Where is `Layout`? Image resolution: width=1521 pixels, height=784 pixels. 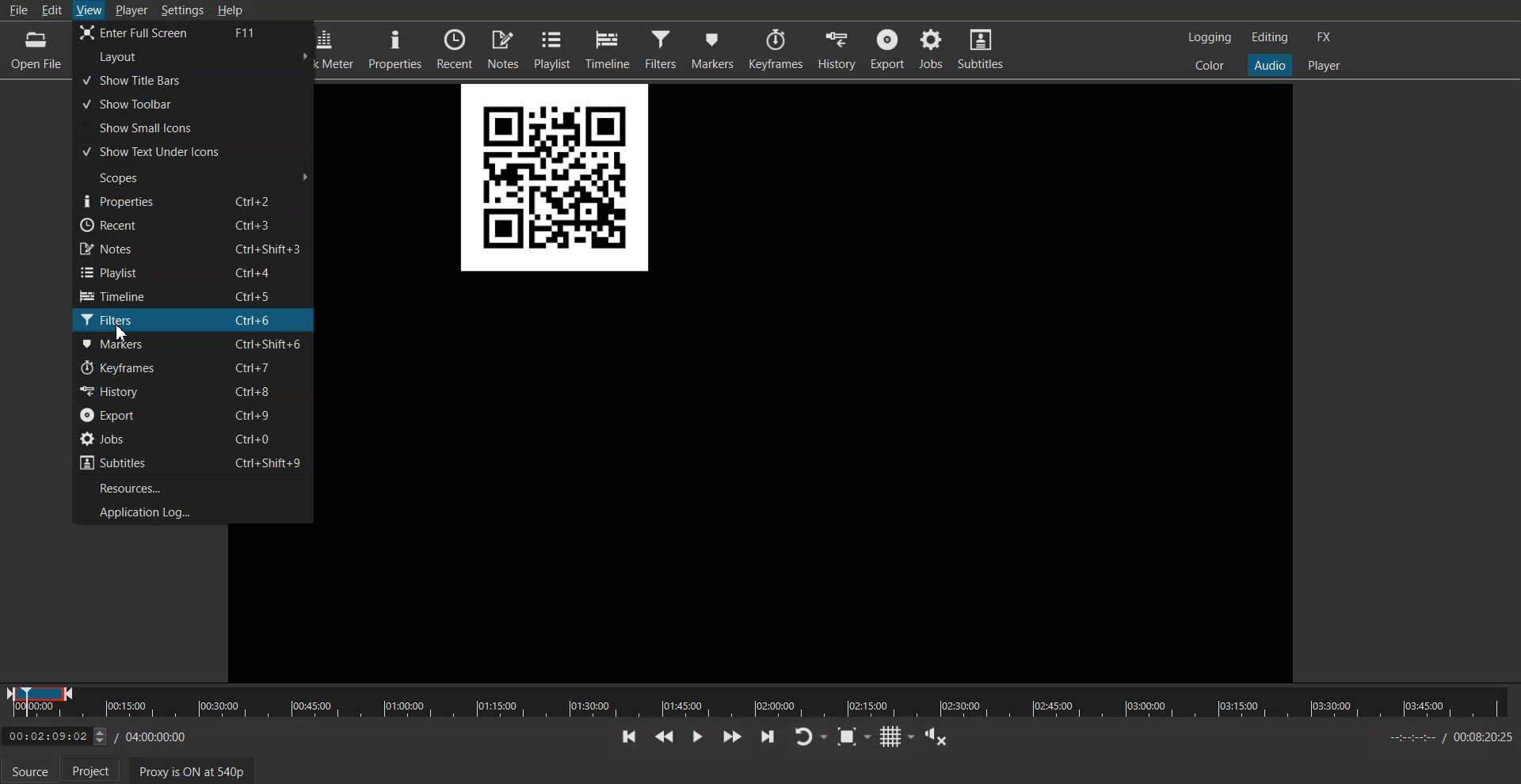 Layout is located at coordinates (194, 56).